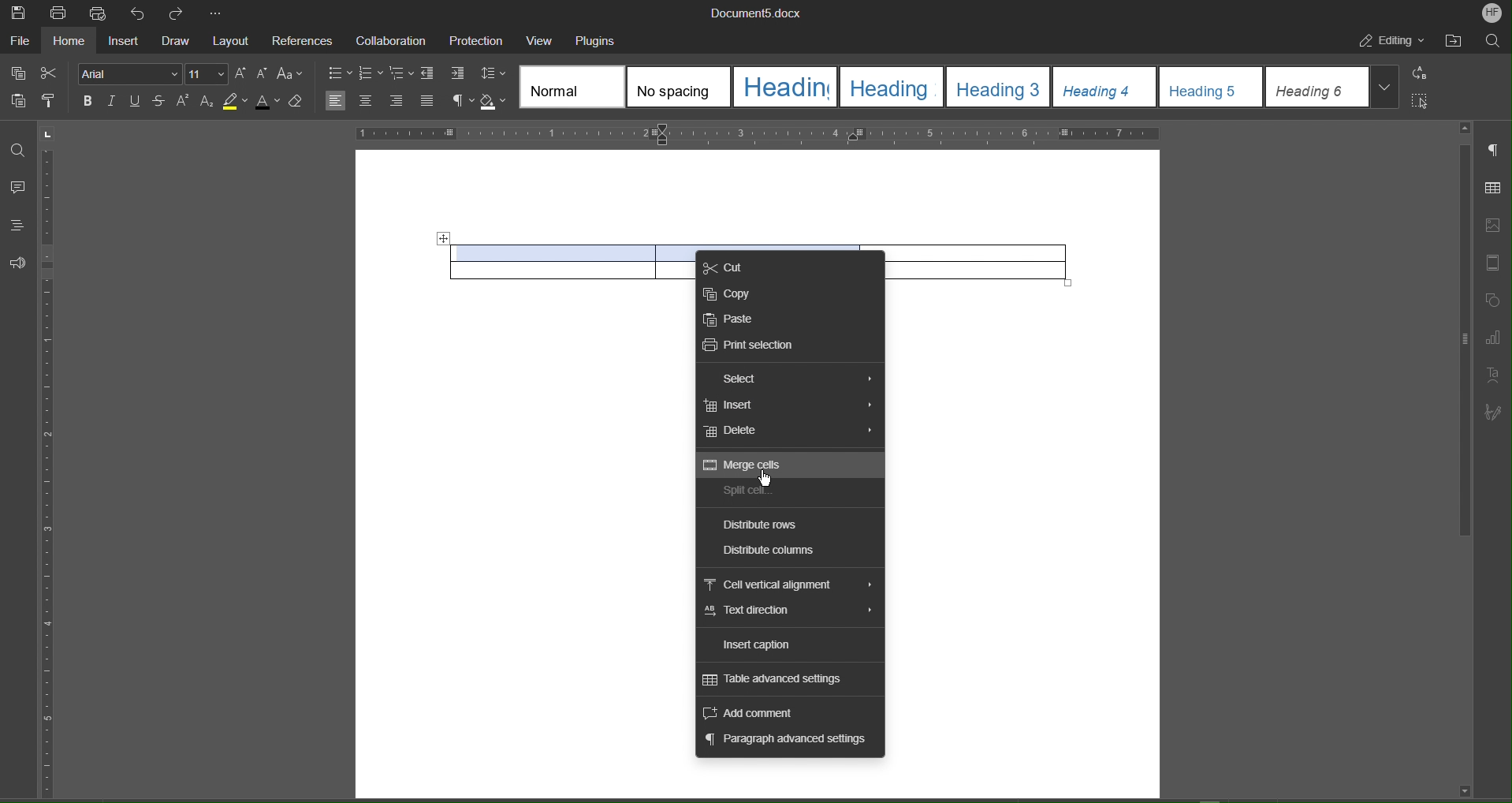  Describe the element at coordinates (724, 293) in the screenshot. I see `Copy` at that location.